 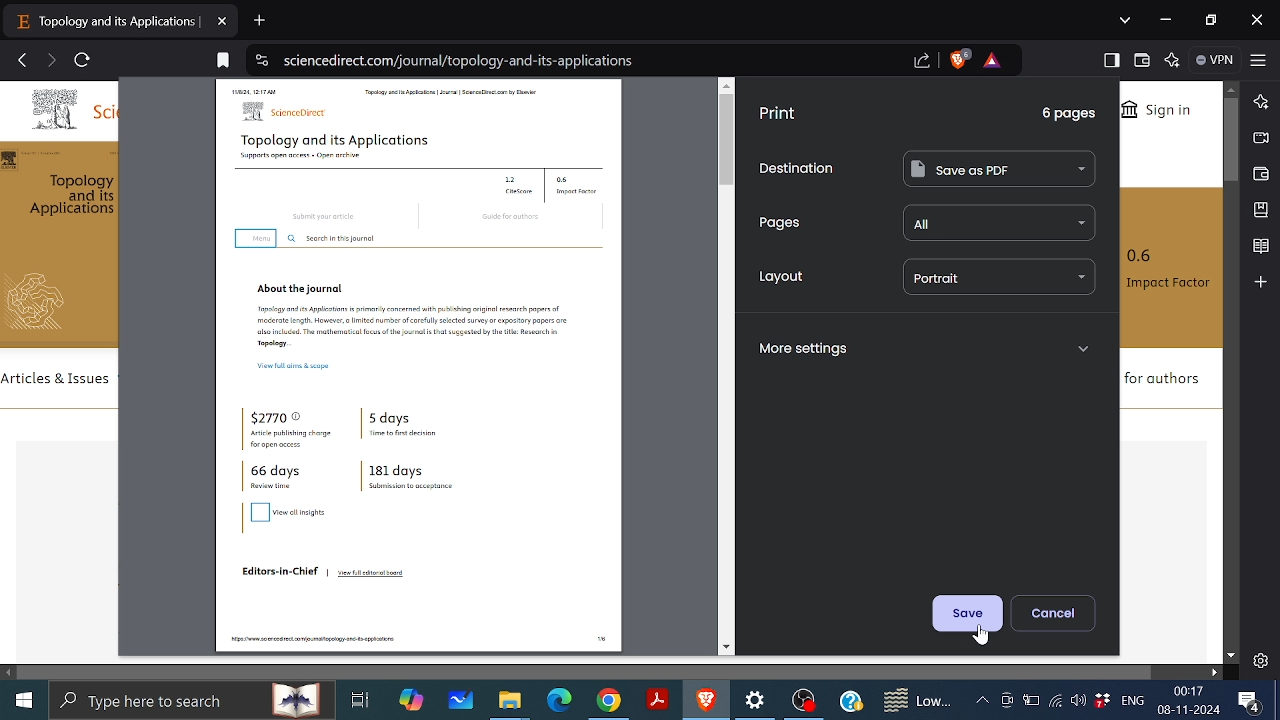 What do you see at coordinates (1101, 701) in the screenshot?
I see `Dropbox` at bounding box center [1101, 701].